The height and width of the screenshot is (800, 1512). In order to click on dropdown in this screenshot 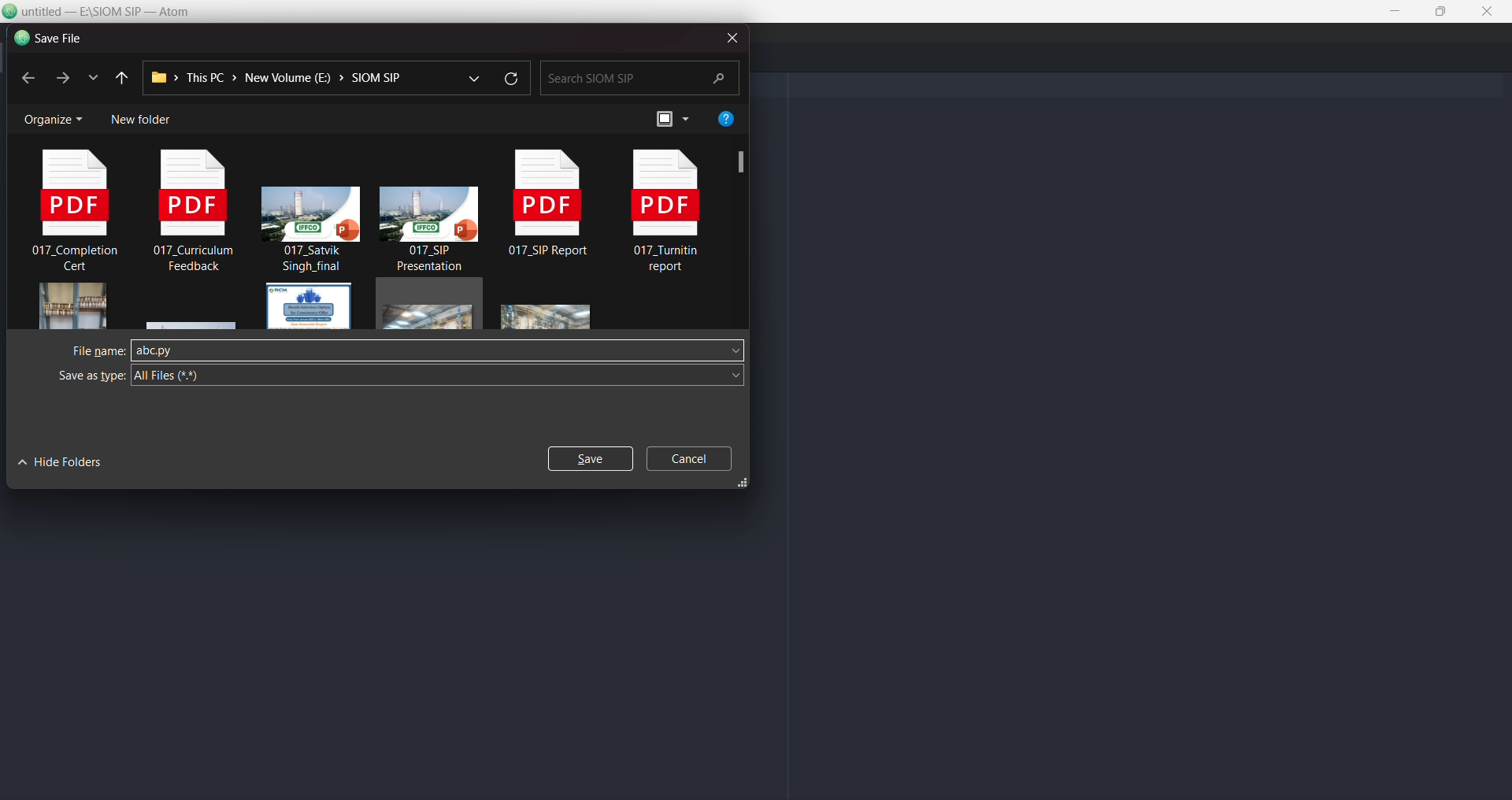, I will do `click(476, 77)`.